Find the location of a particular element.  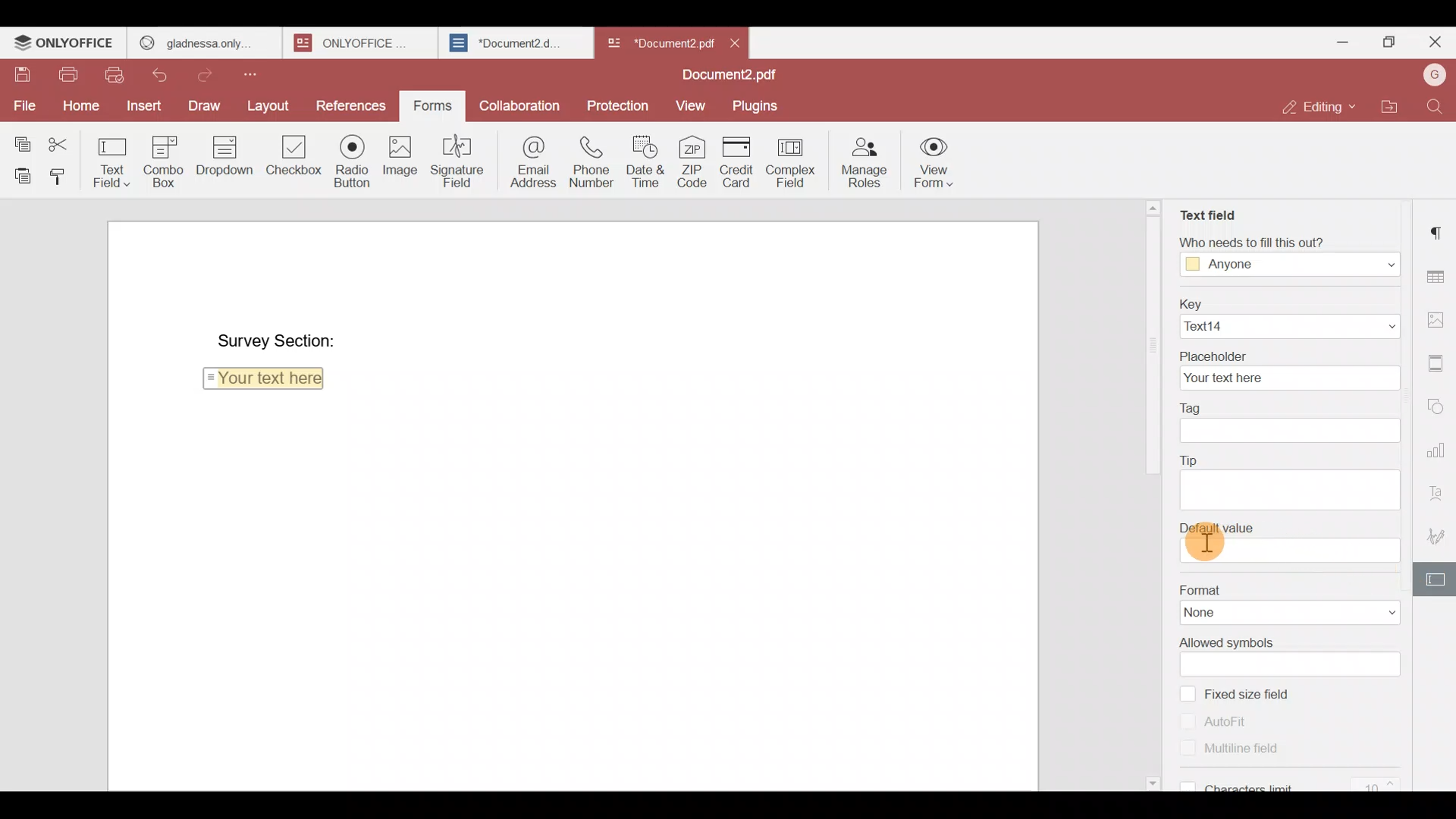

your text here is located at coordinates (1285, 377).